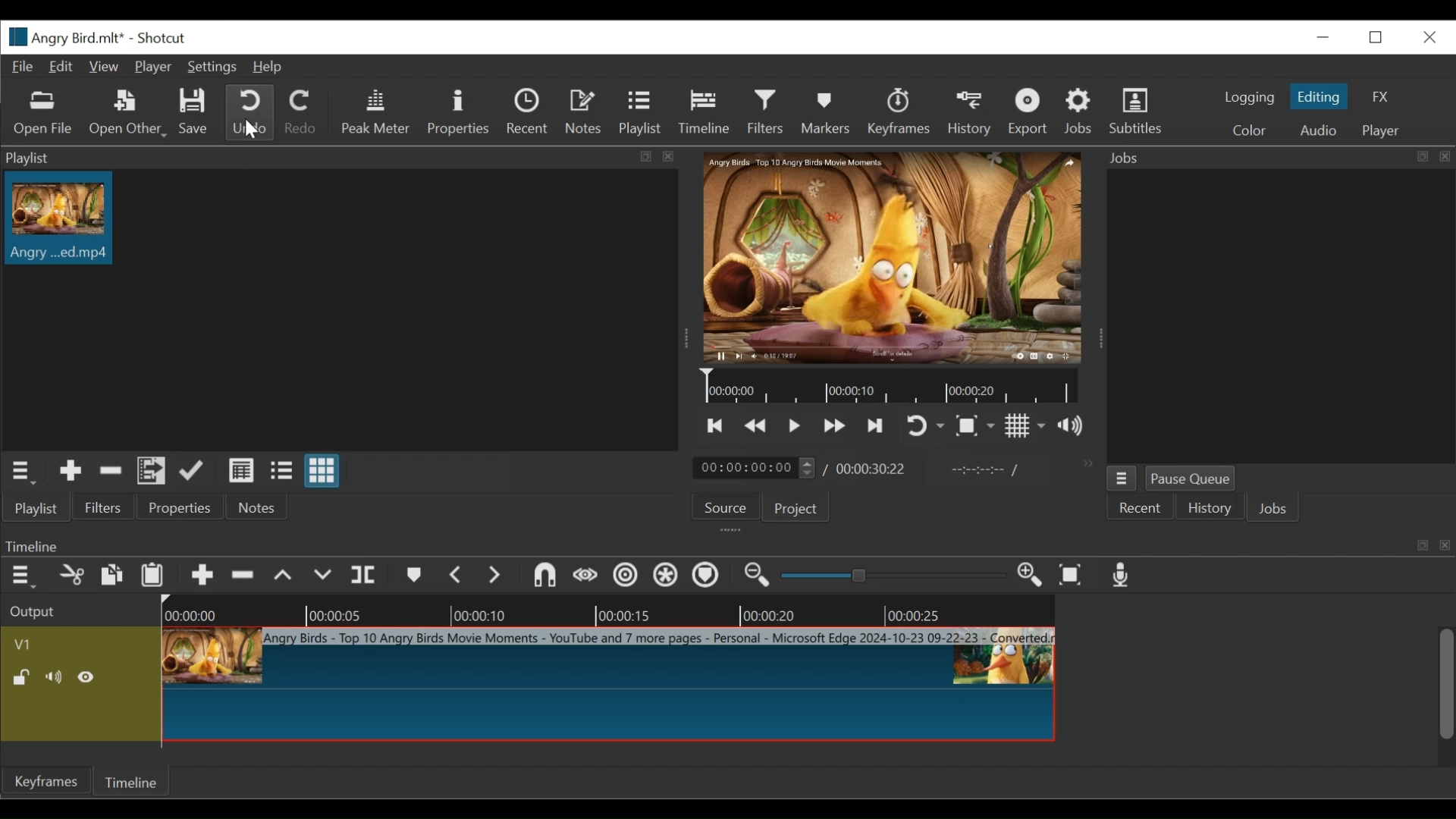 The width and height of the screenshot is (1456, 819). I want to click on zoom timeline in, so click(1030, 575).